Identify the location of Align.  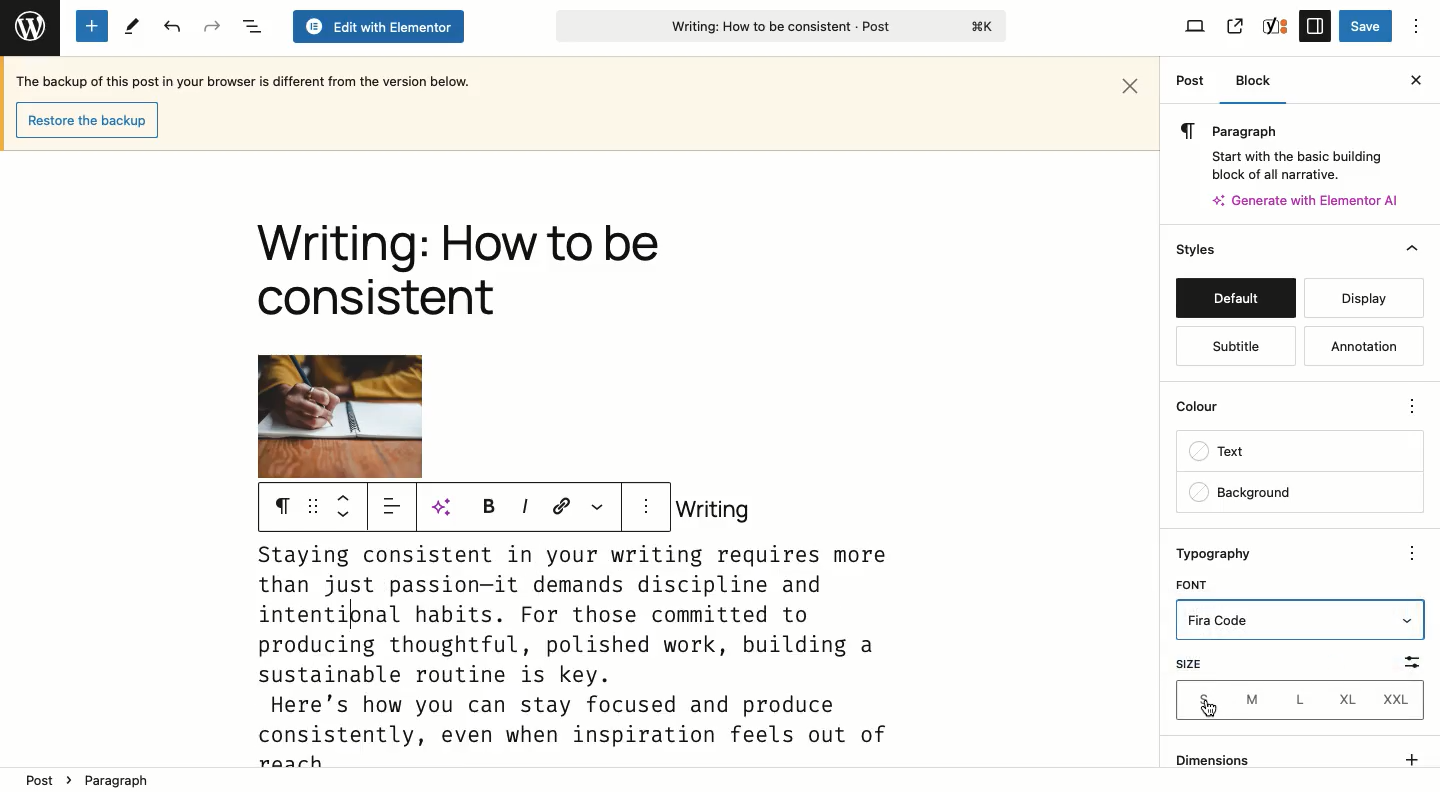
(395, 510).